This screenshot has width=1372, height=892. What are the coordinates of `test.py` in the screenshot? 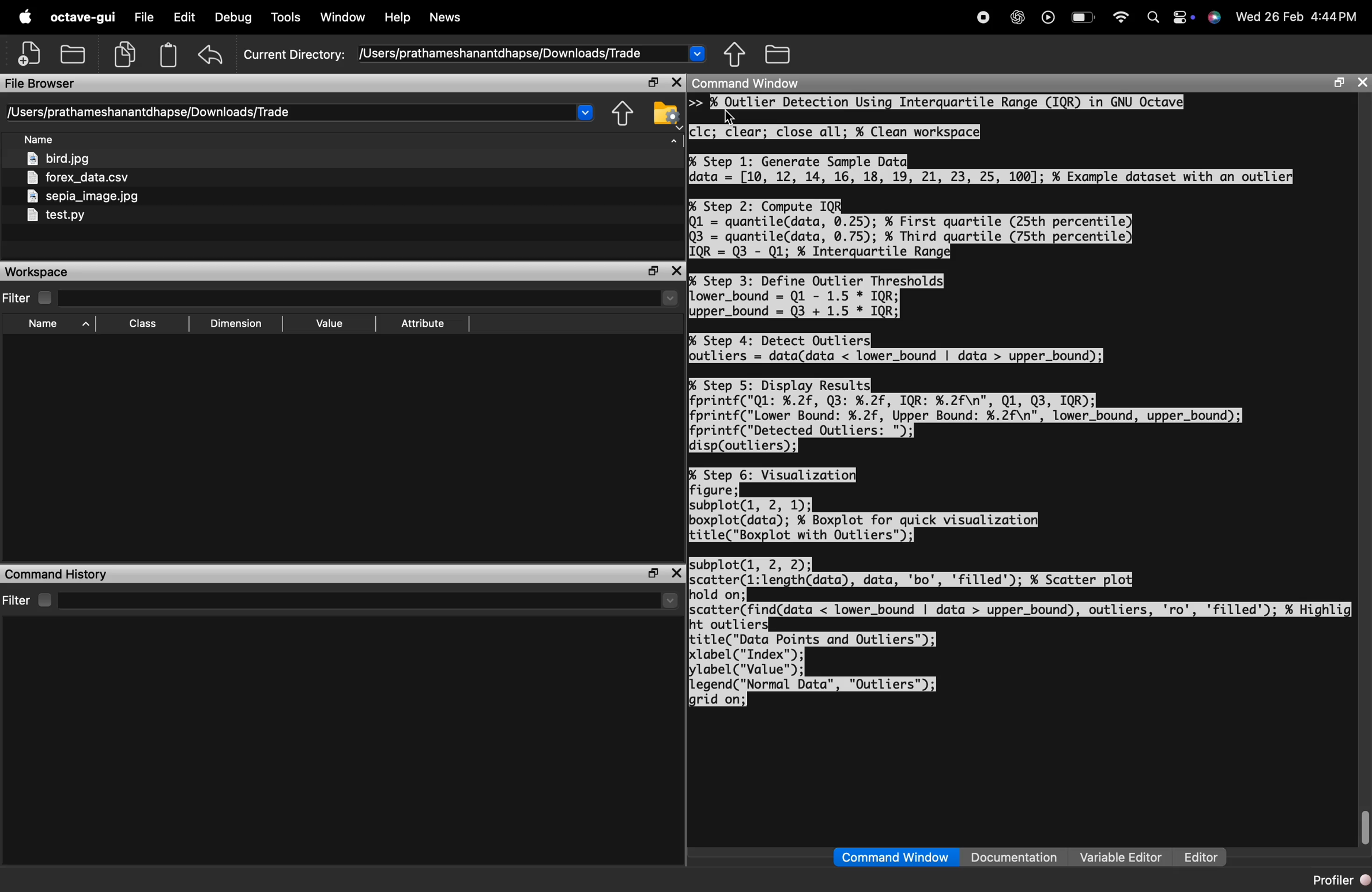 It's located at (55, 216).